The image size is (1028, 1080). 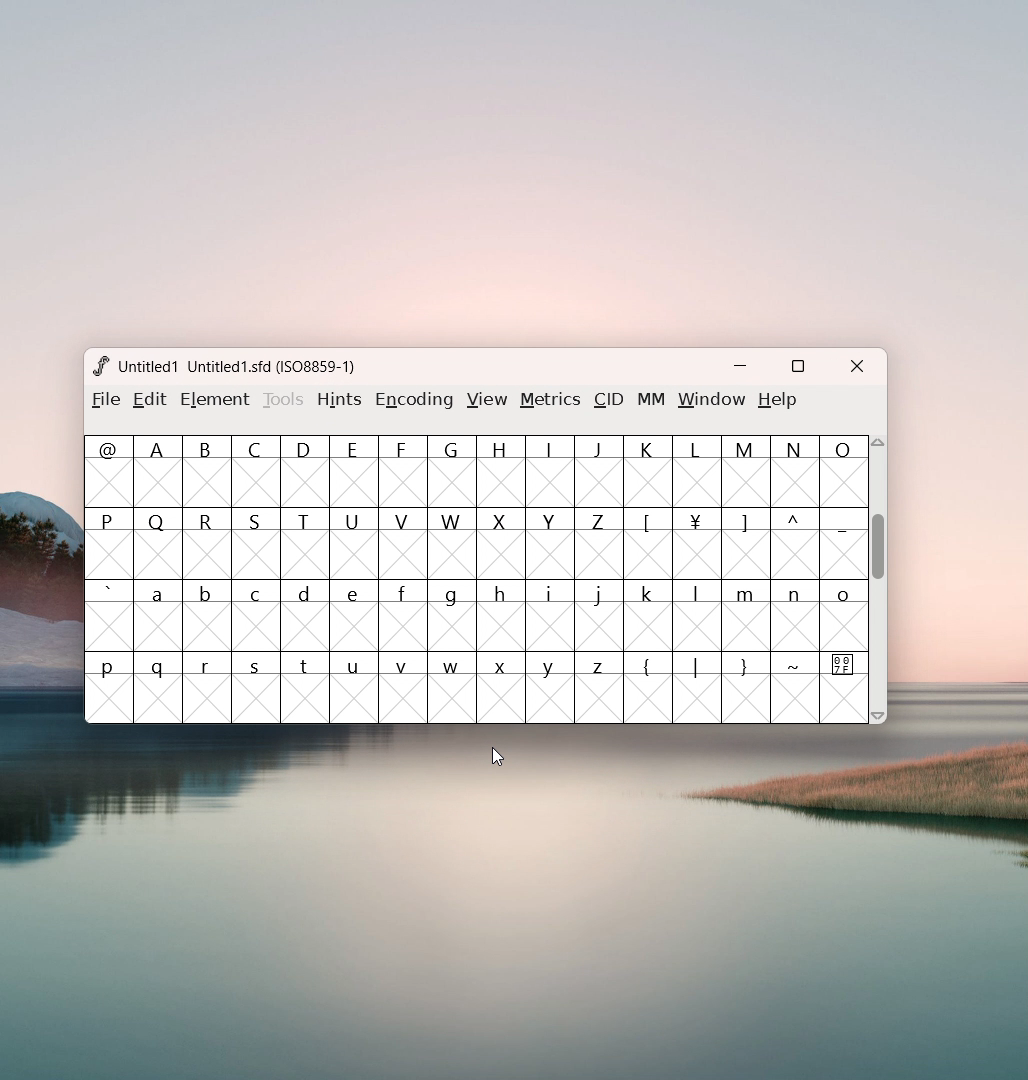 I want to click on minimize, so click(x=740, y=364).